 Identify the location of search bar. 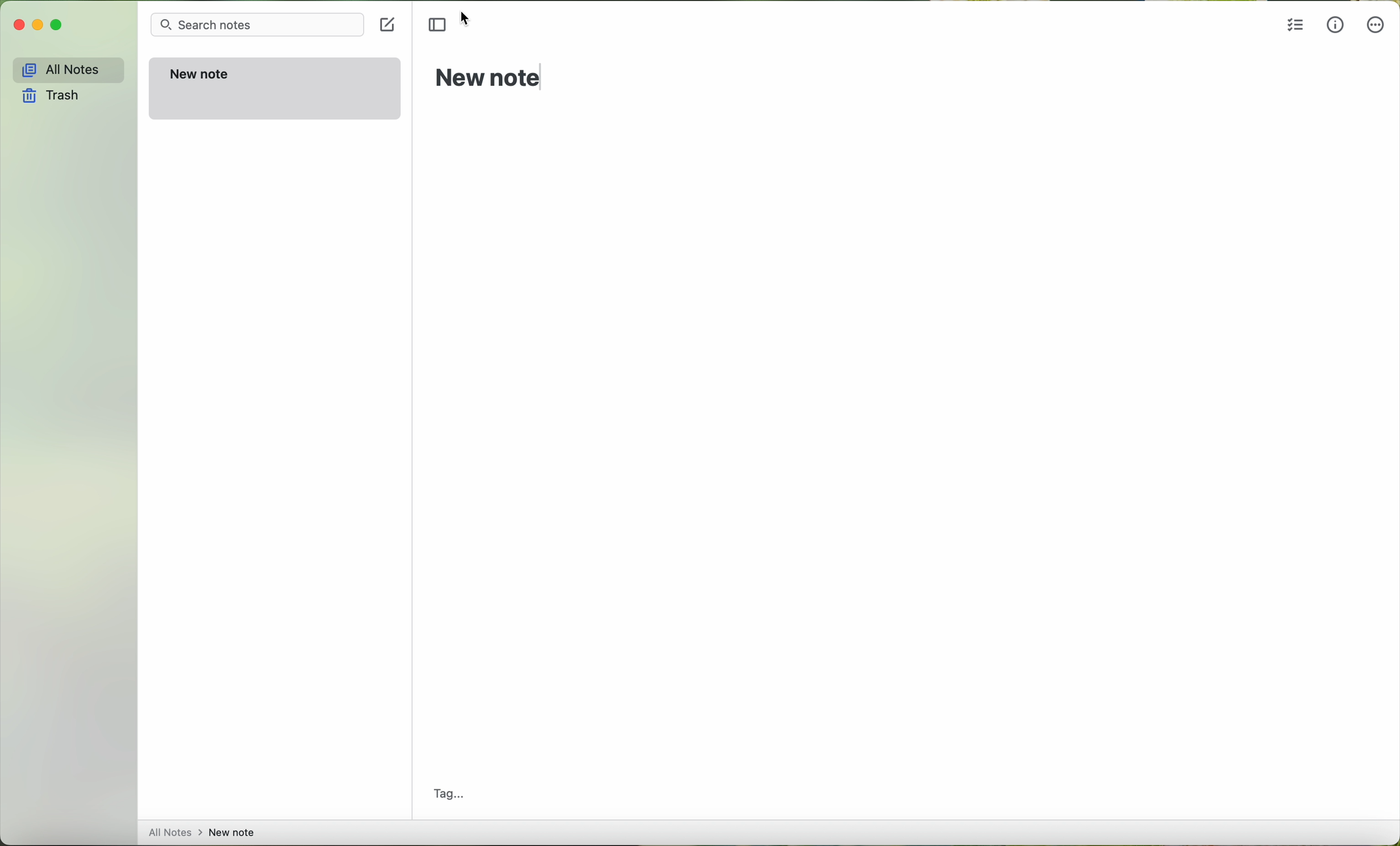
(256, 24).